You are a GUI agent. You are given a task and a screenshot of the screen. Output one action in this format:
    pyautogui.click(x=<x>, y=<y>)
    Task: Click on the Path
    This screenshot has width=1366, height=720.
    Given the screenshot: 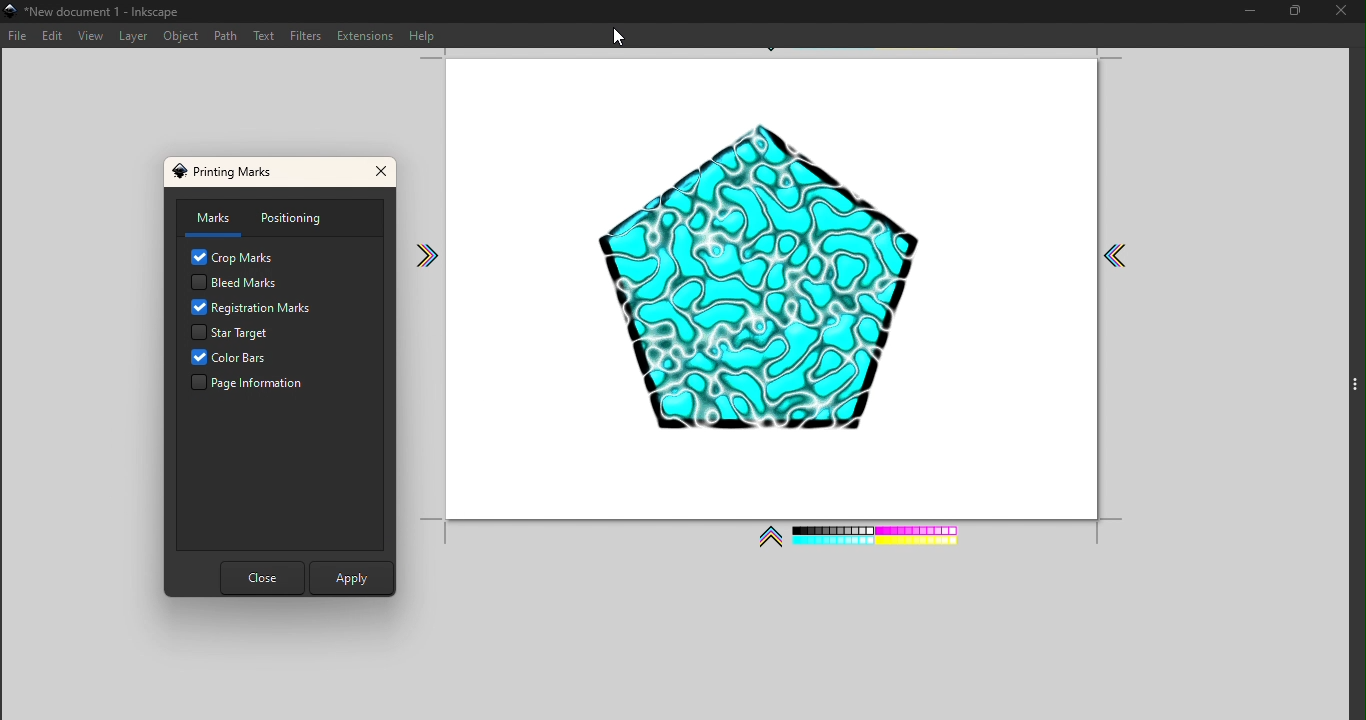 What is the action you would take?
    pyautogui.click(x=226, y=37)
    